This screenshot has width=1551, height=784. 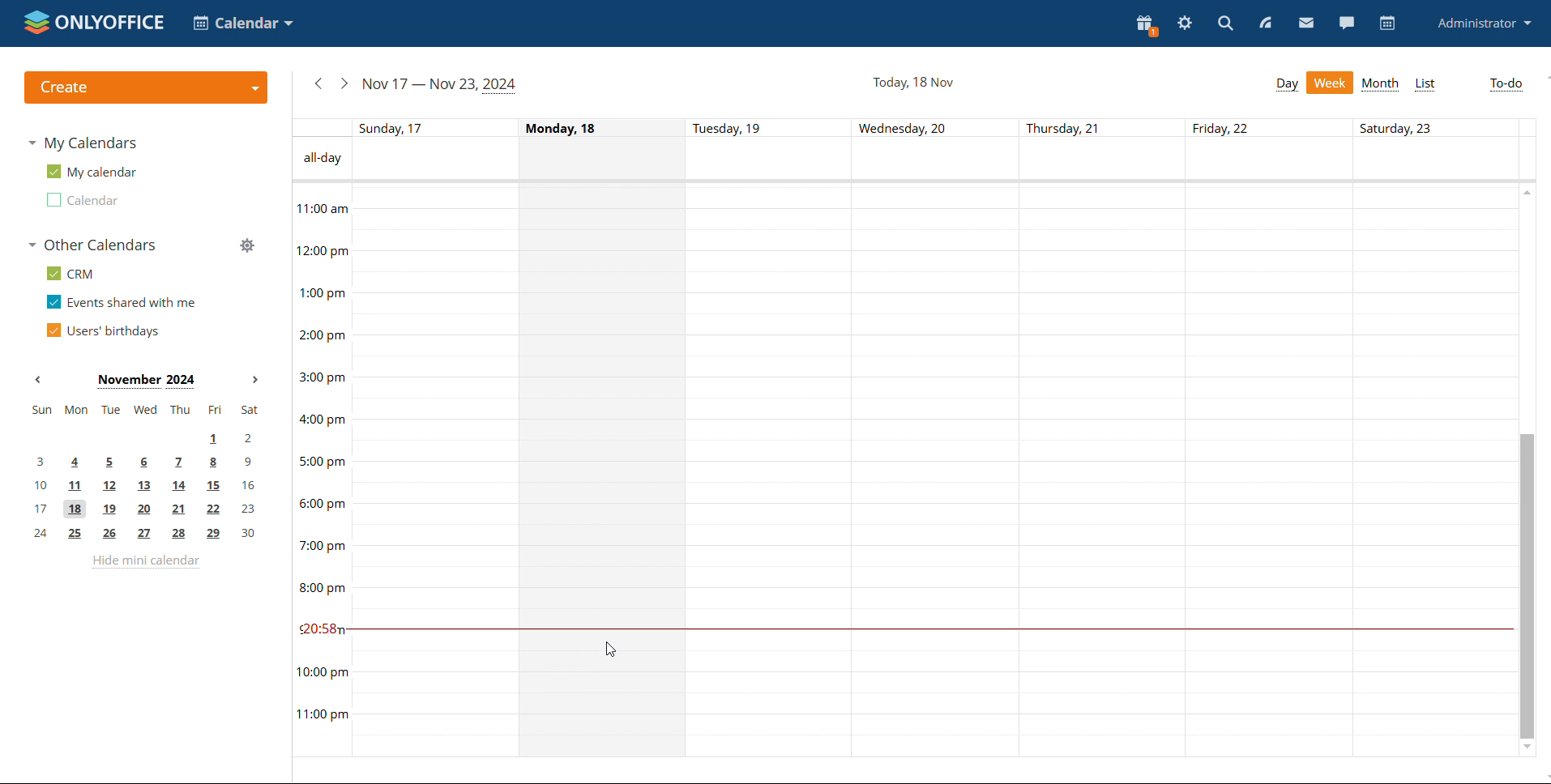 I want to click on Saturday, so click(x=1431, y=471).